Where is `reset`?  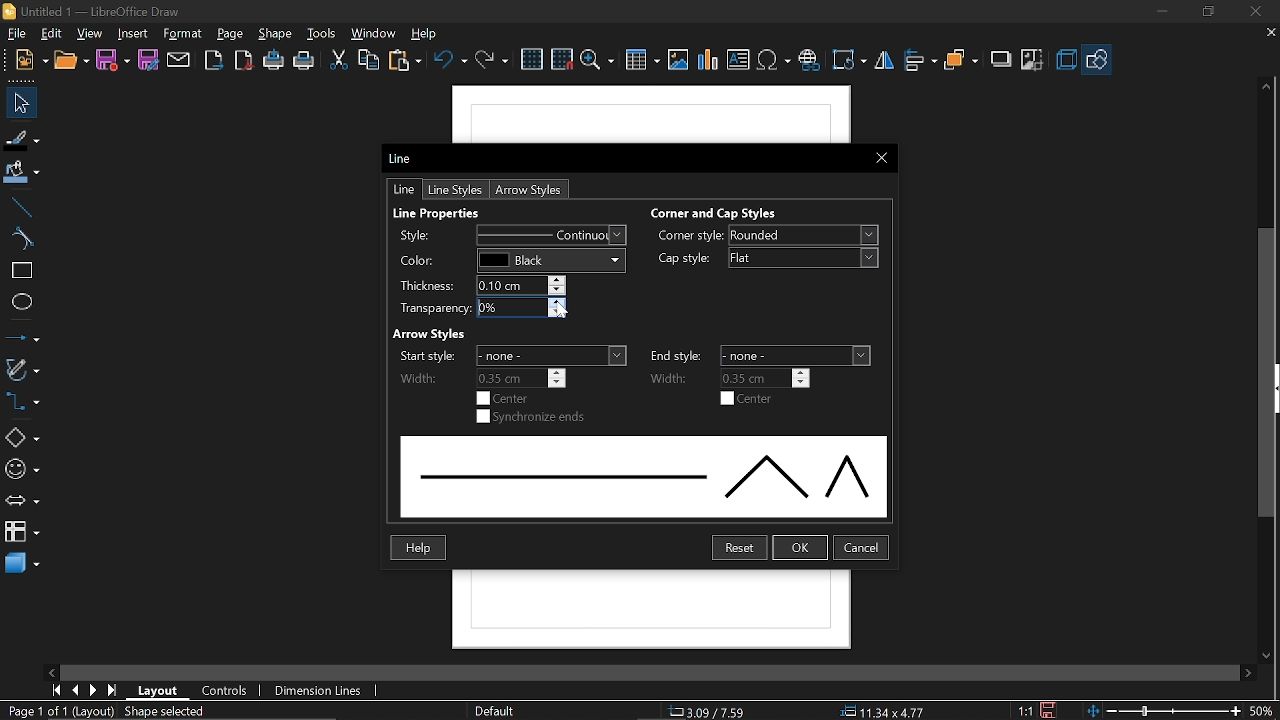 reset is located at coordinates (738, 548).